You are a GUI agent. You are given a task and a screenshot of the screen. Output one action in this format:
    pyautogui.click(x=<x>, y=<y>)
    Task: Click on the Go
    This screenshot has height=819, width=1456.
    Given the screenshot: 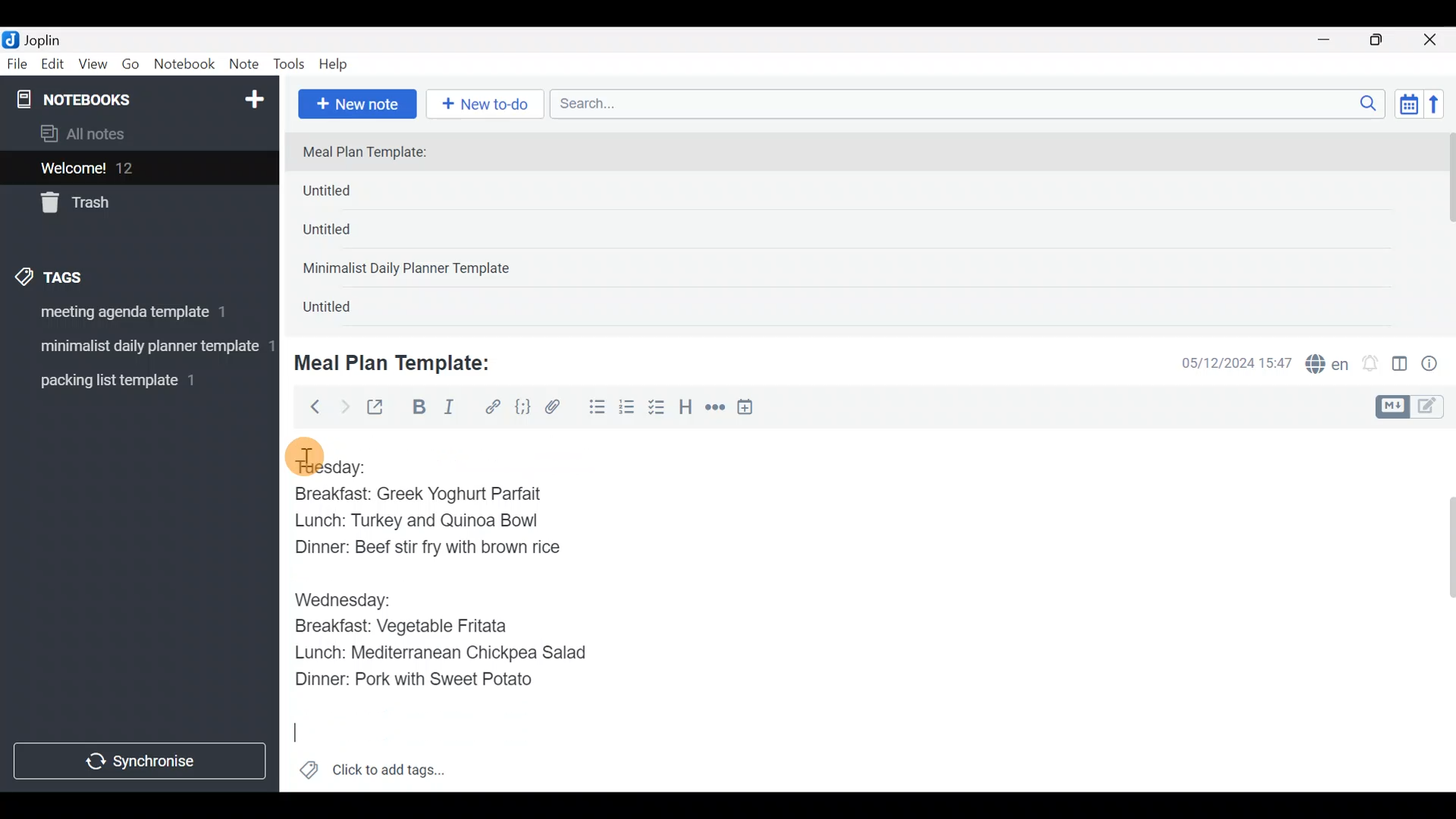 What is the action you would take?
    pyautogui.click(x=130, y=67)
    